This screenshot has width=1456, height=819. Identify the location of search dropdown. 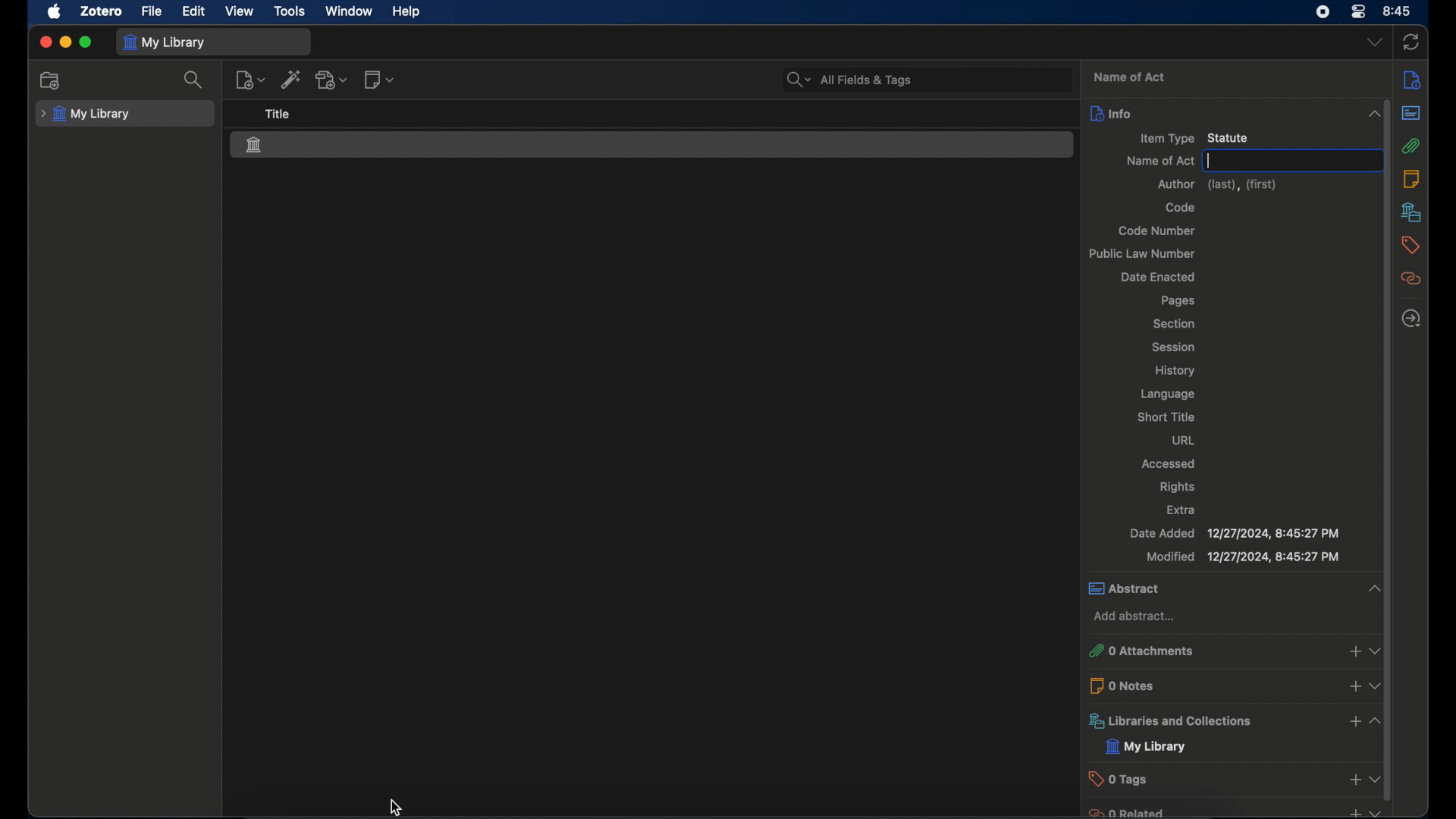
(798, 81).